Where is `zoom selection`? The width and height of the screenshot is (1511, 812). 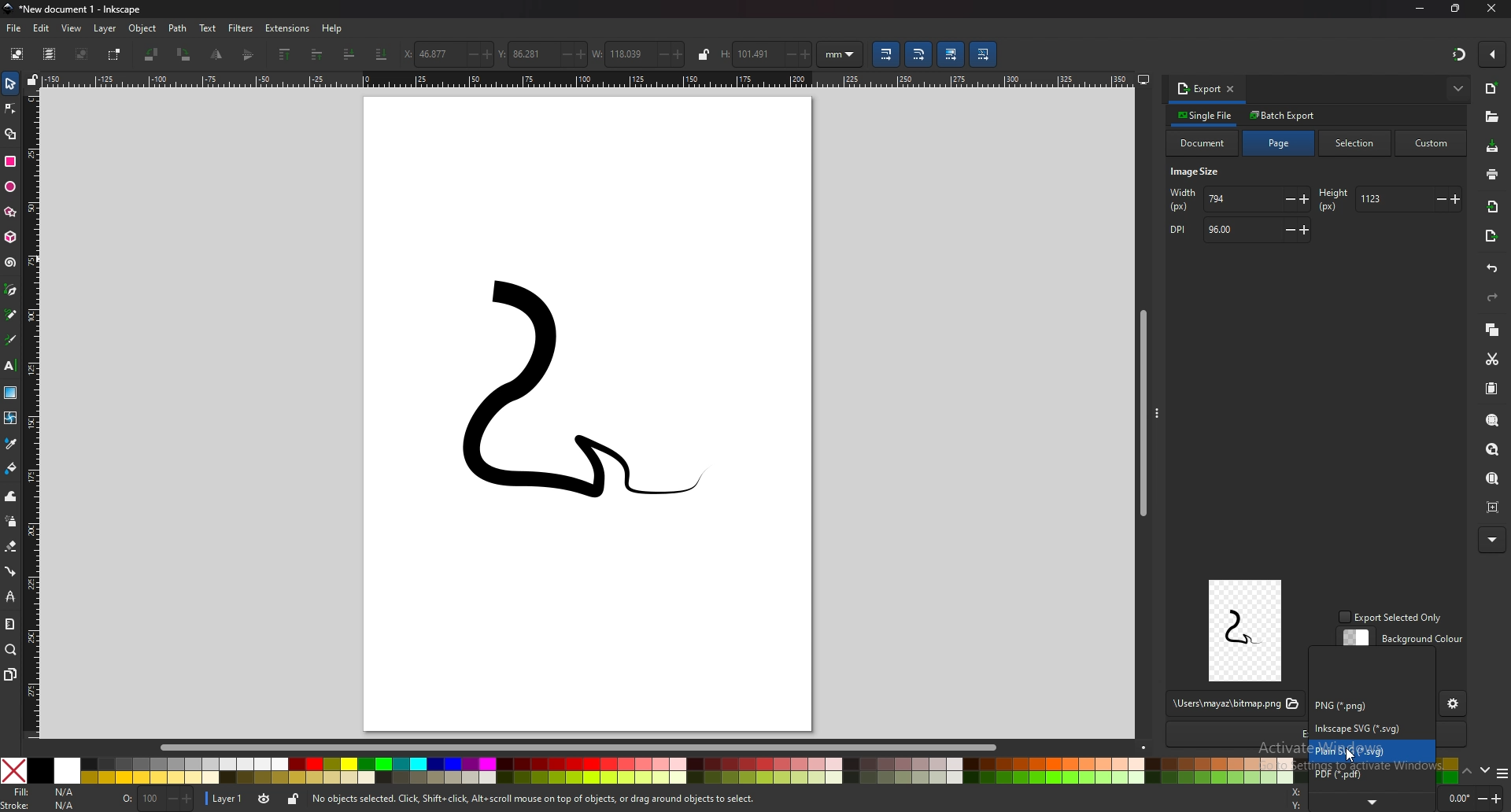 zoom selection is located at coordinates (1493, 419).